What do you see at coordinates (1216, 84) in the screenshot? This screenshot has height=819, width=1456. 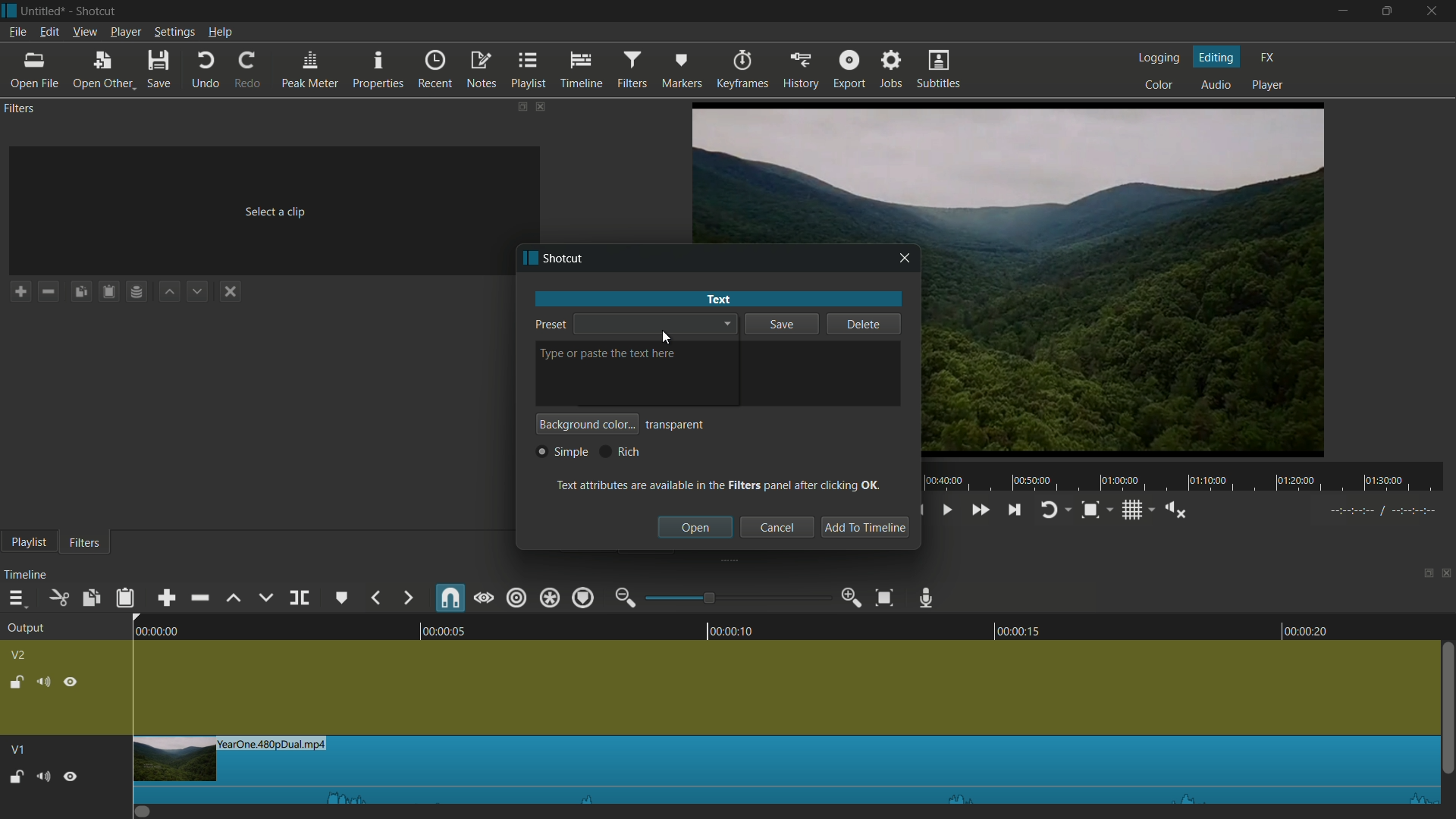 I see `audio` at bounding box center [1216, 84].